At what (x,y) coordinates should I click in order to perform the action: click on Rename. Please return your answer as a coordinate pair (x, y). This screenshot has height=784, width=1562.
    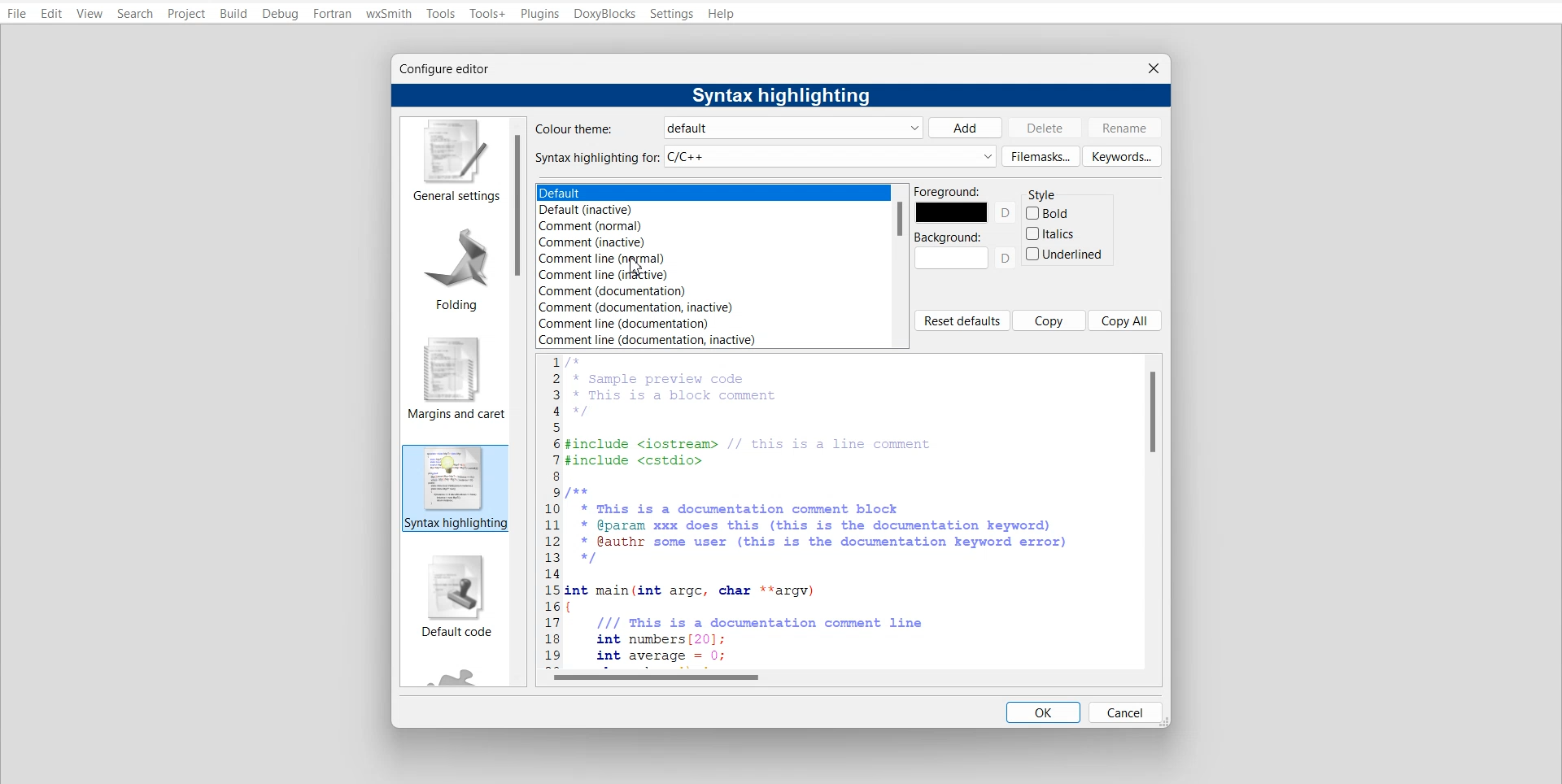
    Looking at the image, I should click on (1128, 127).